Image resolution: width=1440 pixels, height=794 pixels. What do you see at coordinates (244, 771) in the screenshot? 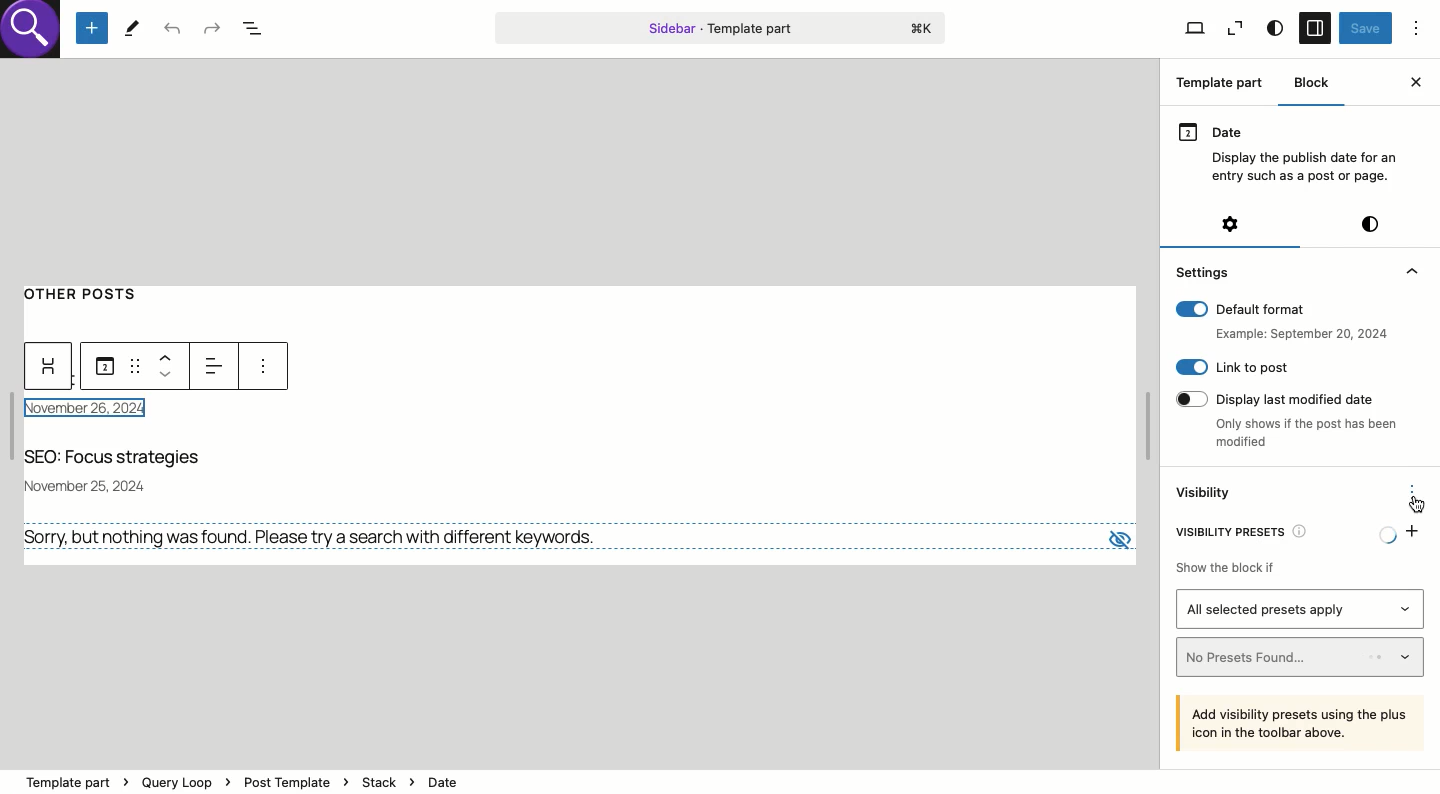
I see `template part` at bounding box center [244, 771].